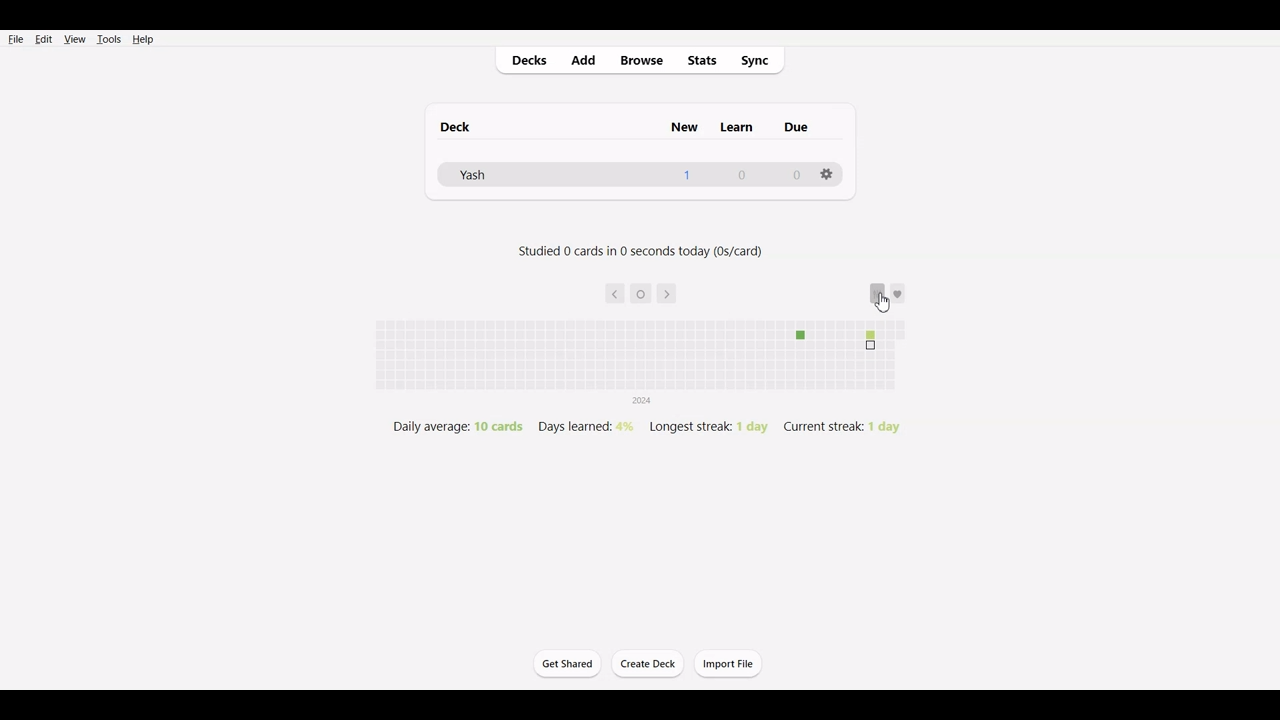 The width and height of the screenshot is (1280, 720). What do you see at coordinates (464, 118) in the screenshot?
I see `deck` at bounding box center [464, 118].